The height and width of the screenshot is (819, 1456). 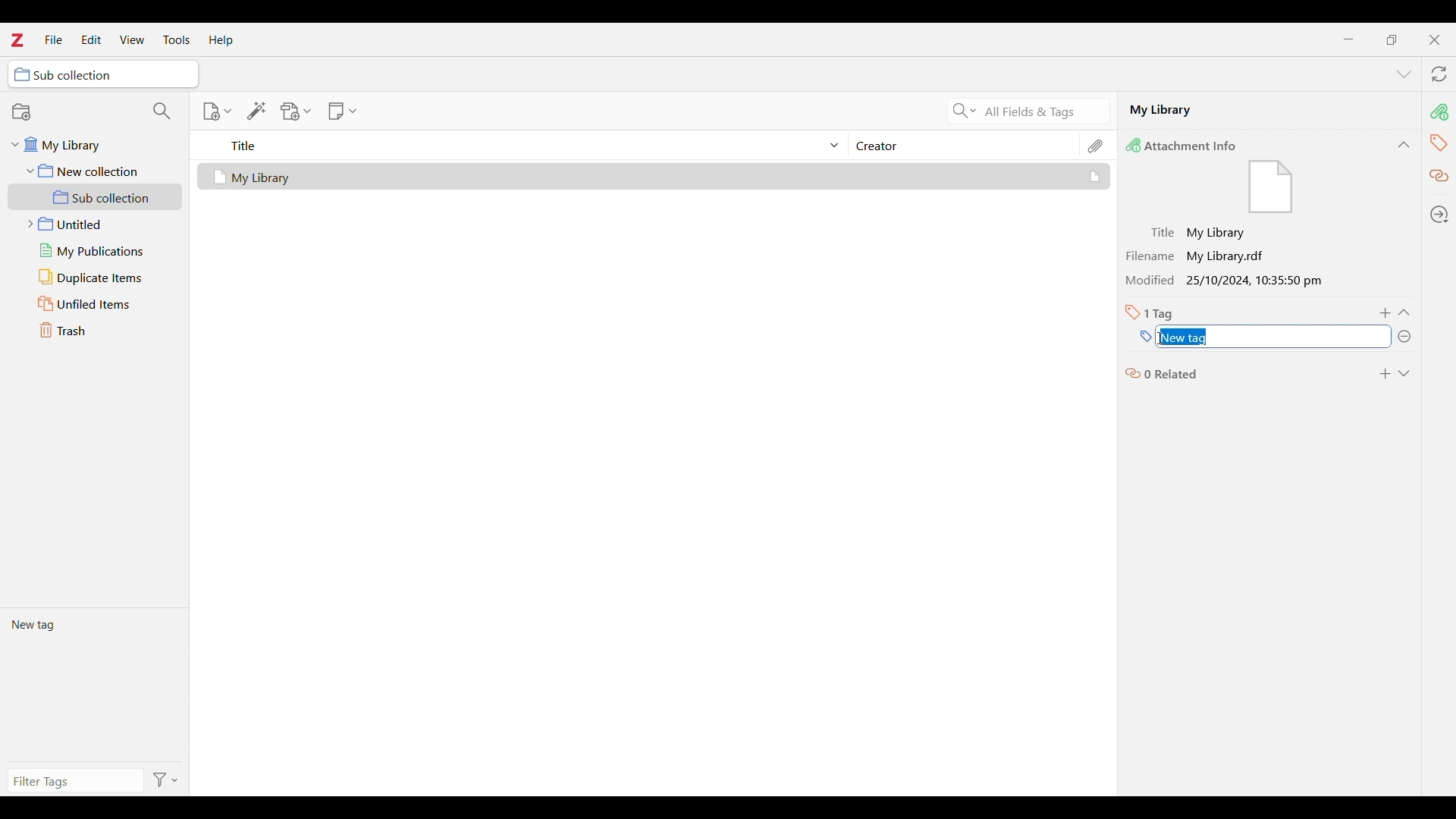 What do you see at coordinates (162, 111) in the screenshot?
I see `Filter collections` at bounding box center [162, 111].